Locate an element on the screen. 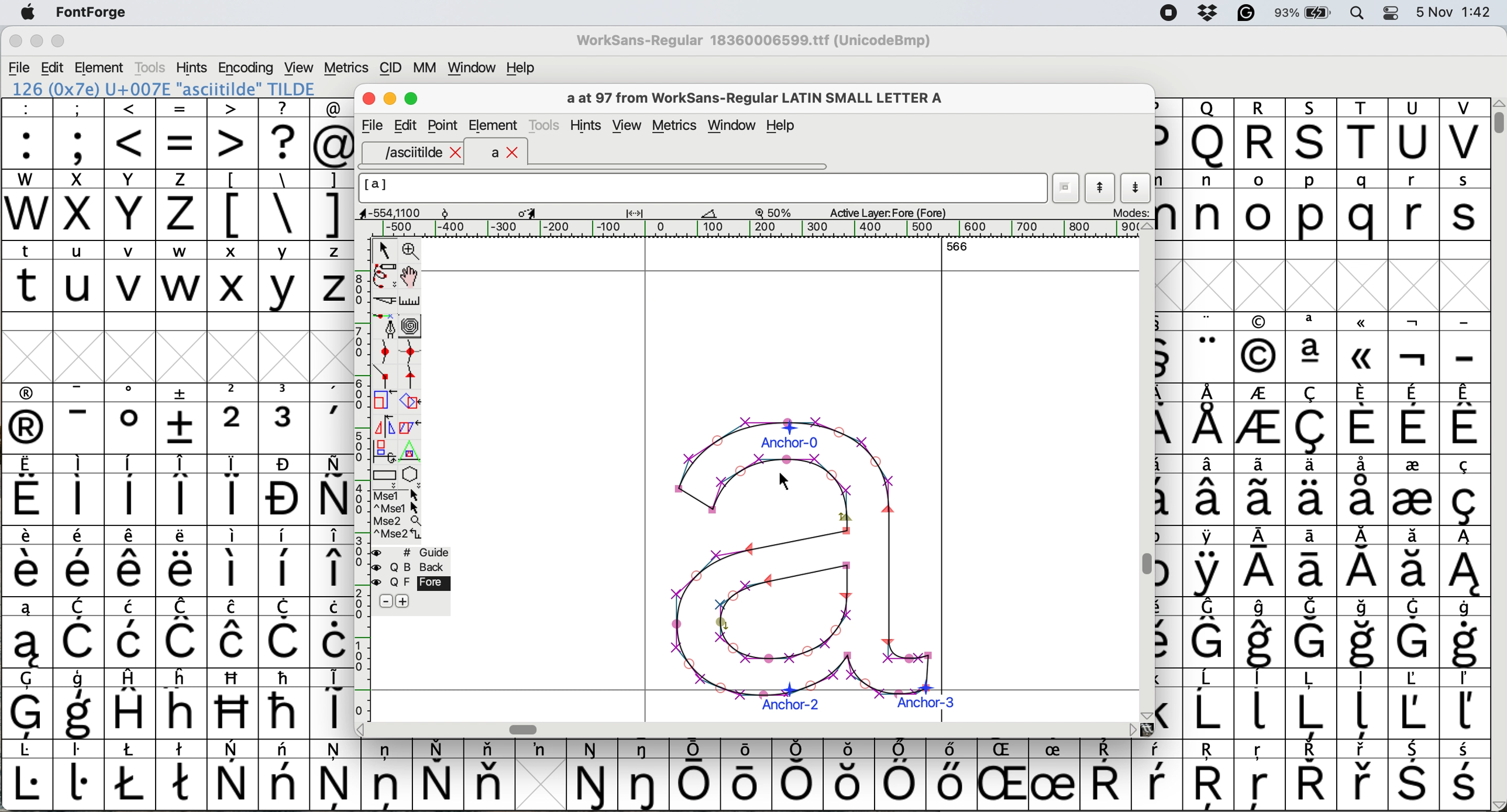 The image size is (1507, 812). symbol is located at coordinates (1054, 776).